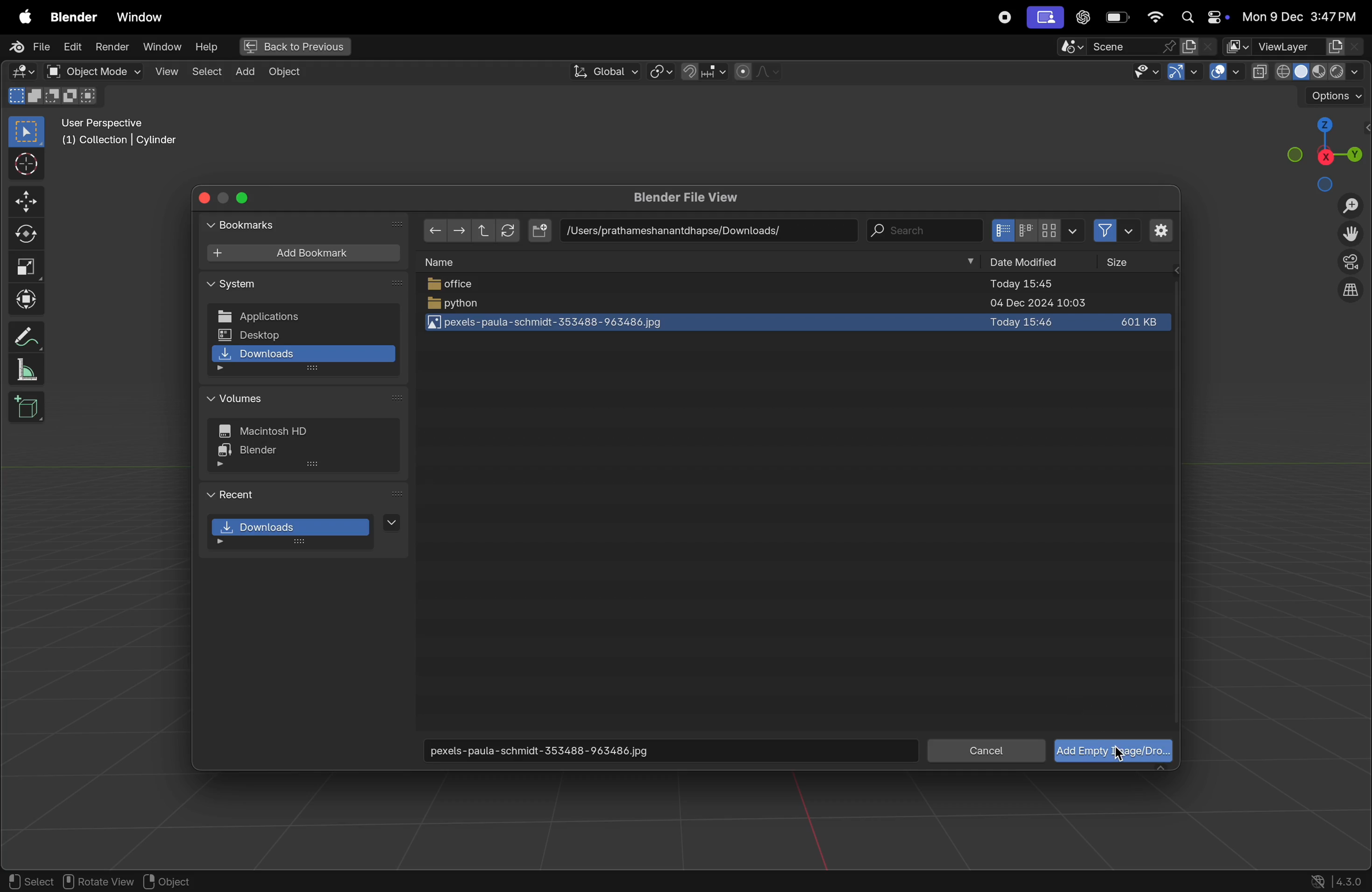 This screenshot has width=1372, height=892. I want to click on zoom in, so click(1350, 206).